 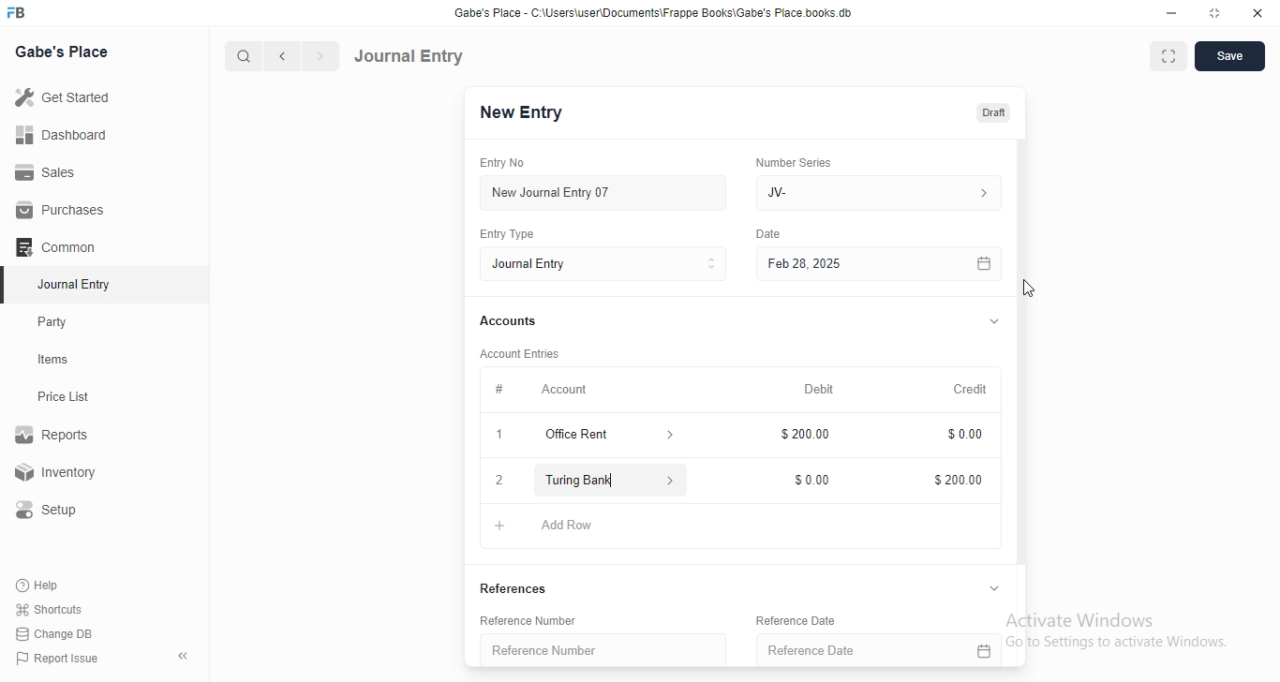 I want to click on ‘Report Issue, so click(x=55, y=658).